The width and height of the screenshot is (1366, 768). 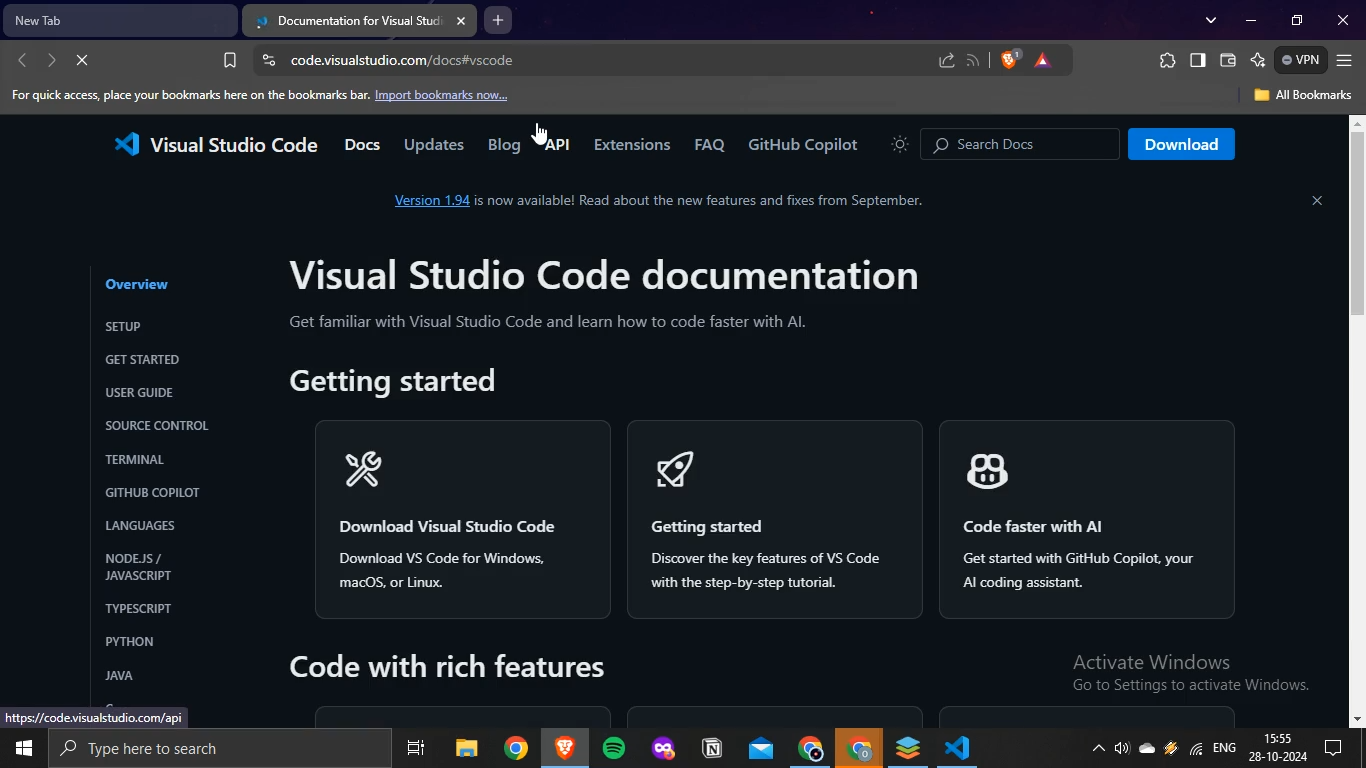 I want to click on https://code.visualstudio.com/api, so click(x=95, y=718).